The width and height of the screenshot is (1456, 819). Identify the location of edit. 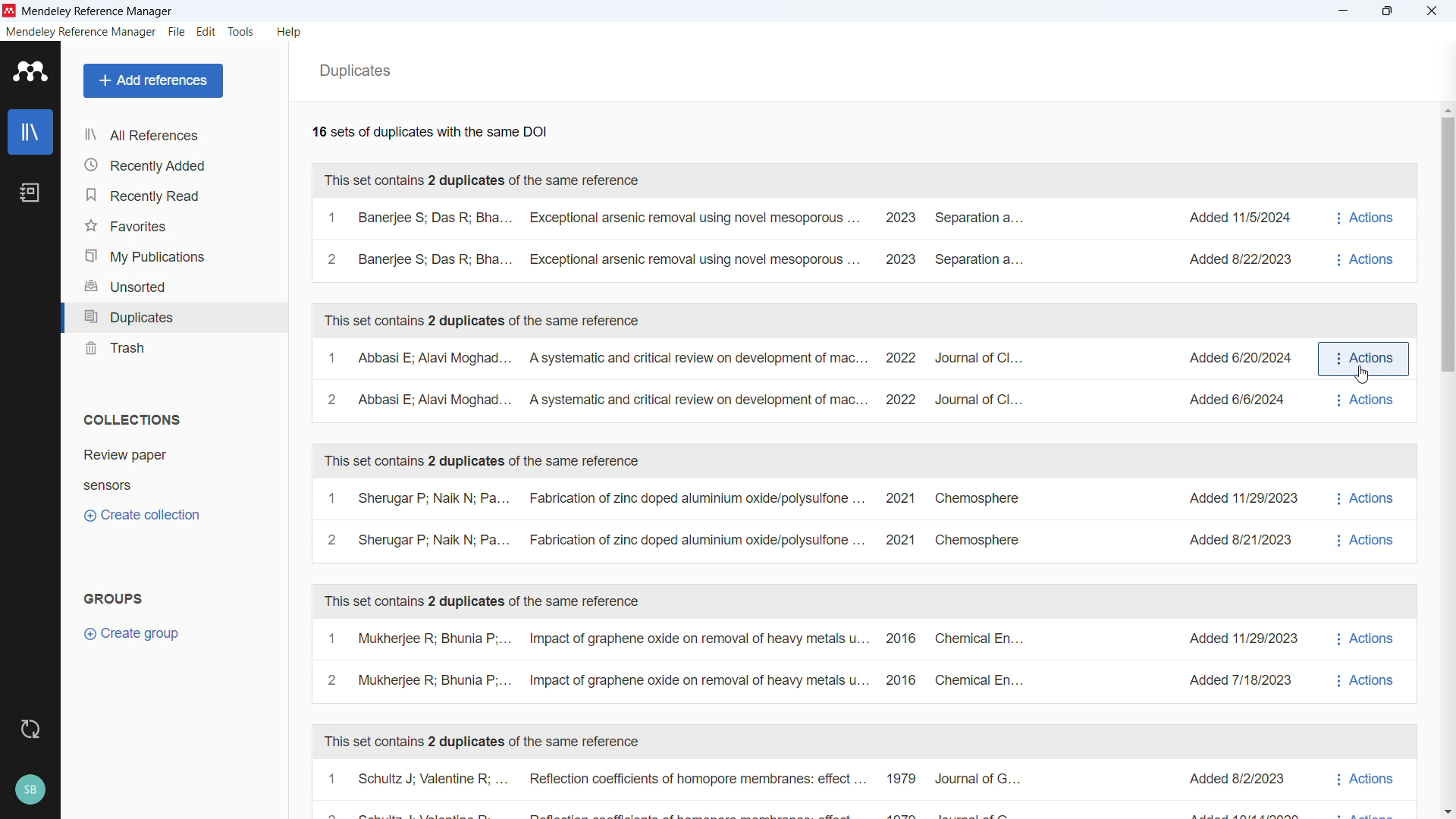
(206, 31).